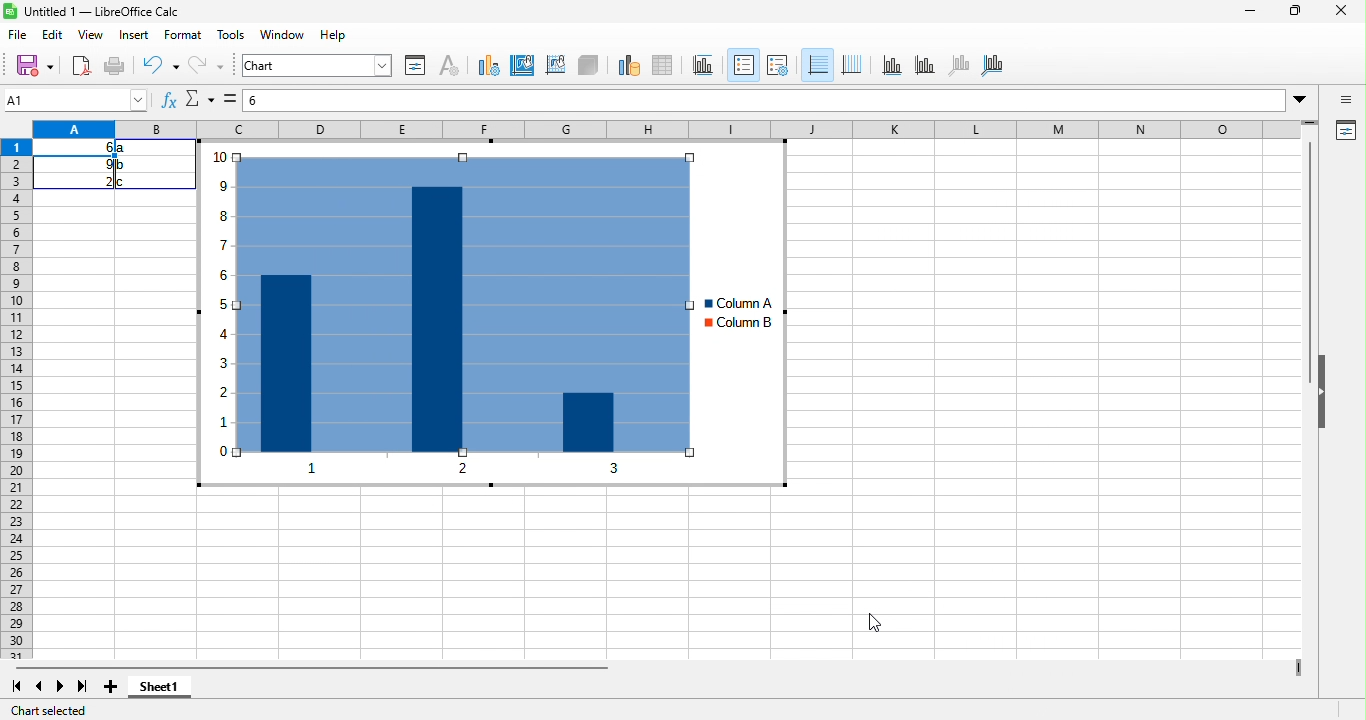 The width and height of the screenshot is (1366, 720). I want to click on tools, so click(231, 36).